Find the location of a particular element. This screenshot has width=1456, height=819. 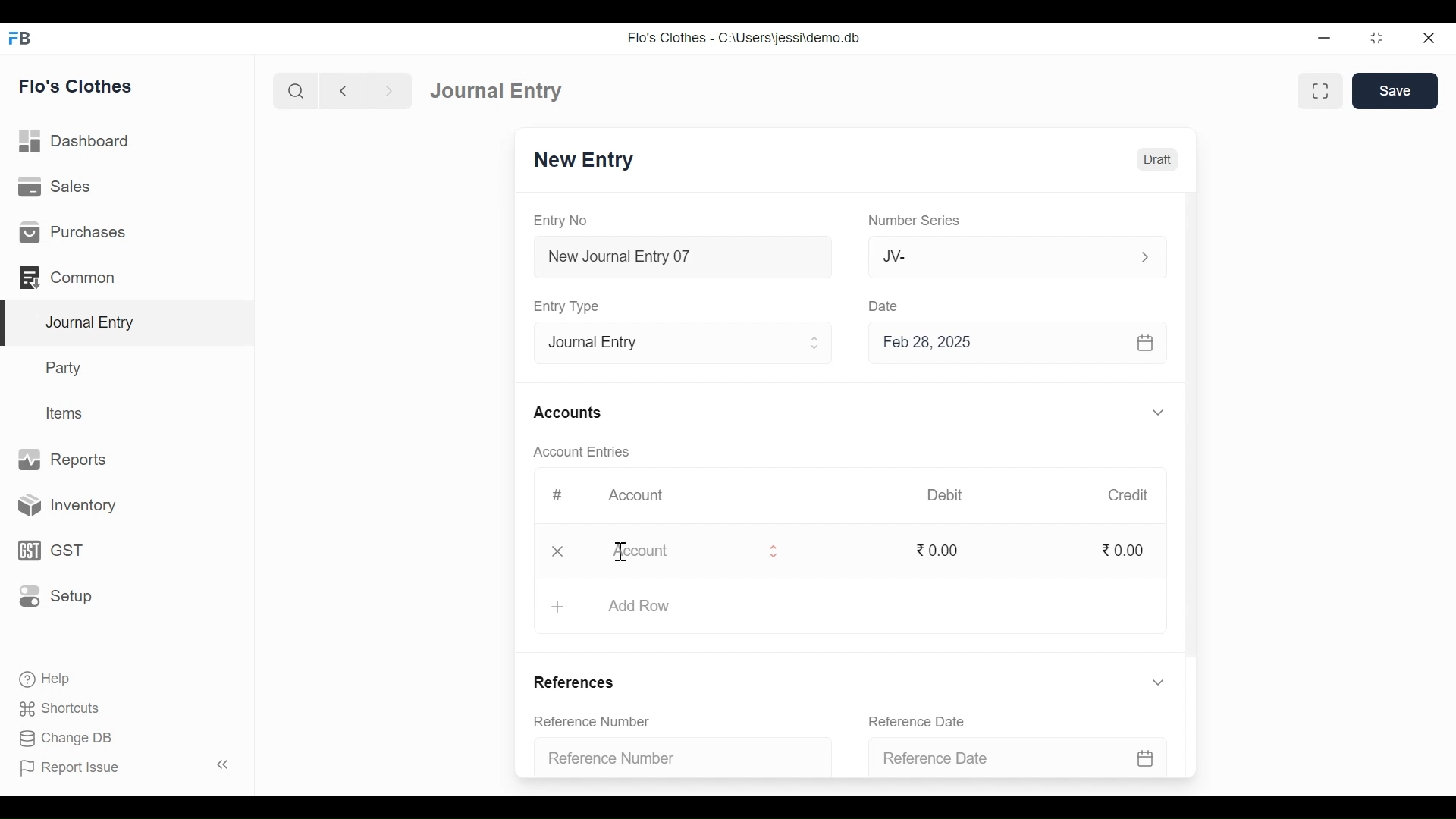

minimize is located at coordinates (1324, 39).